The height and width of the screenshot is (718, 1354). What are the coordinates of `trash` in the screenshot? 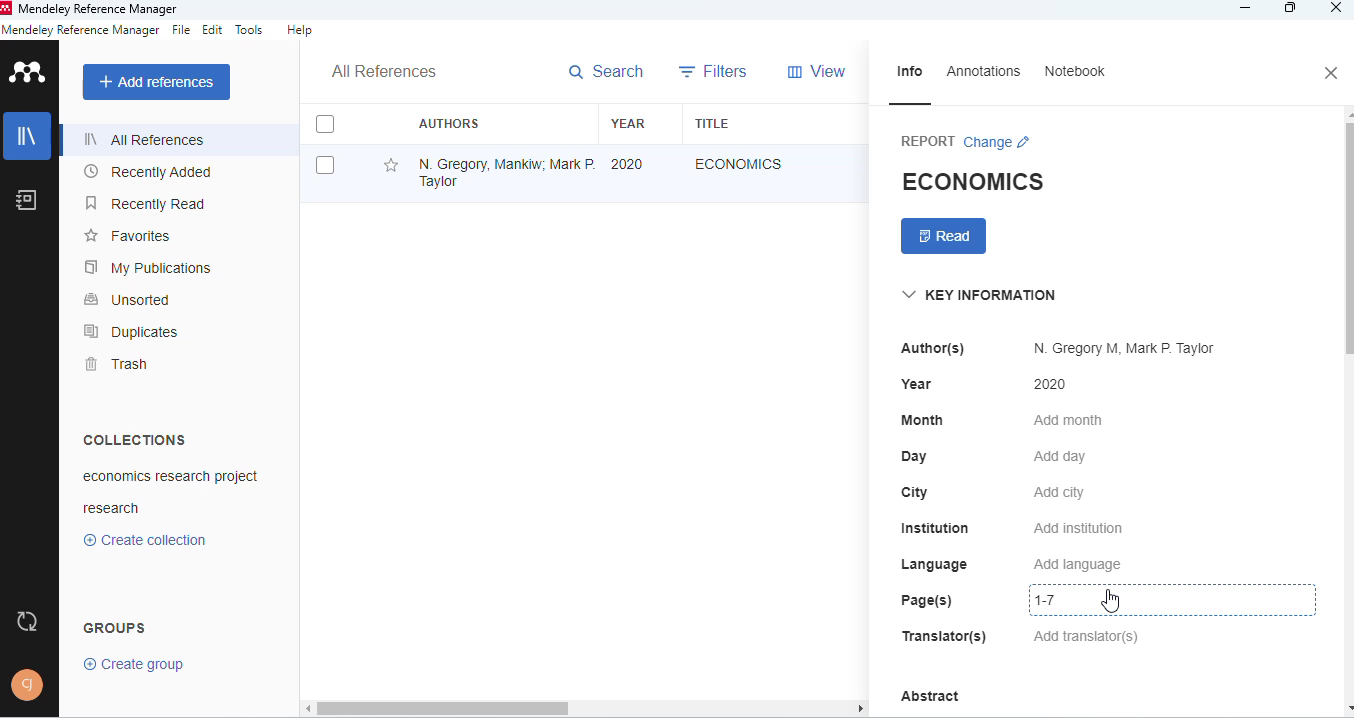 It's located at (119, 364).